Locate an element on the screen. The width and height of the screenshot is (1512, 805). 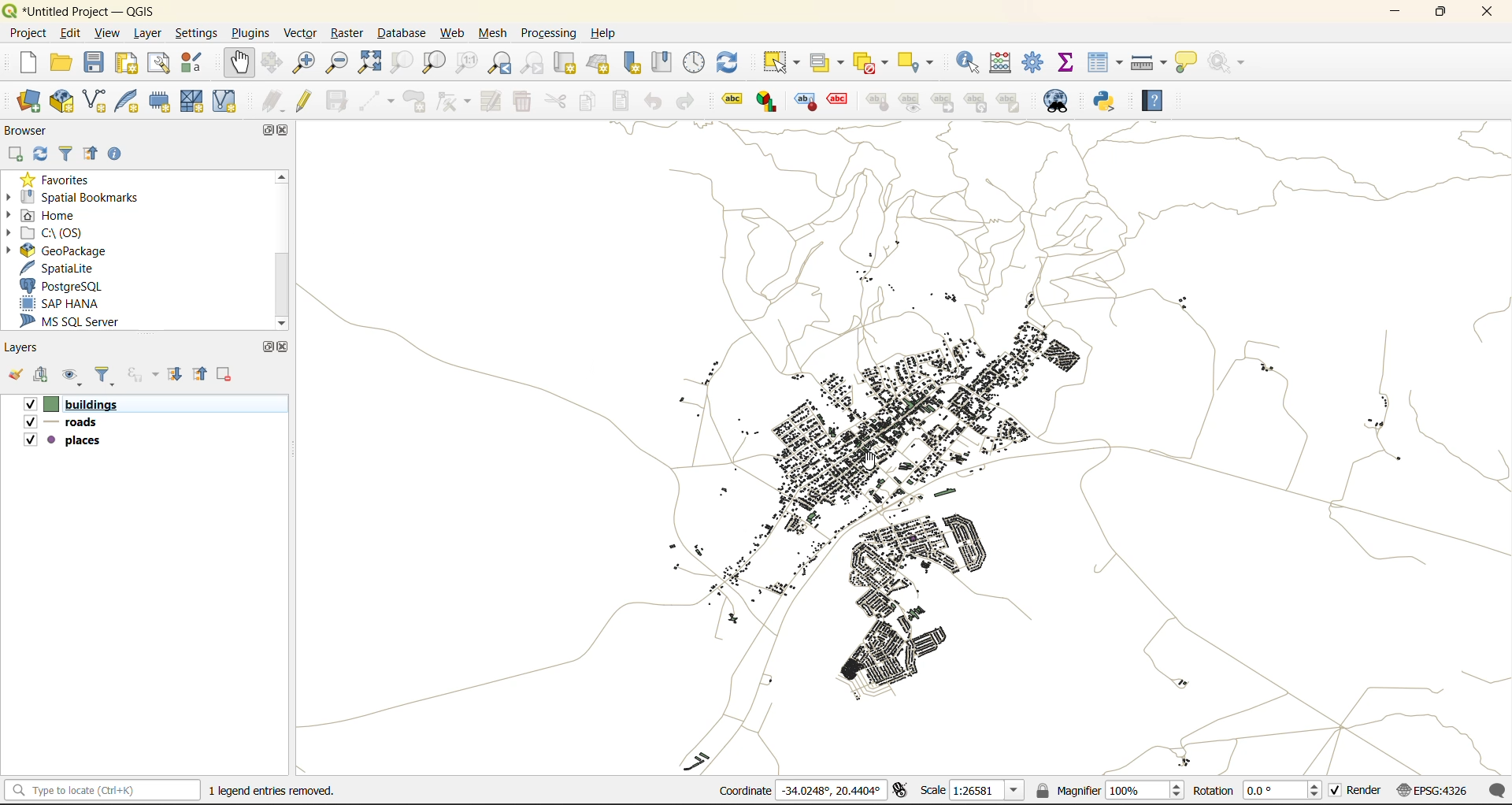
geopackage is located at coordinates (80, 250).